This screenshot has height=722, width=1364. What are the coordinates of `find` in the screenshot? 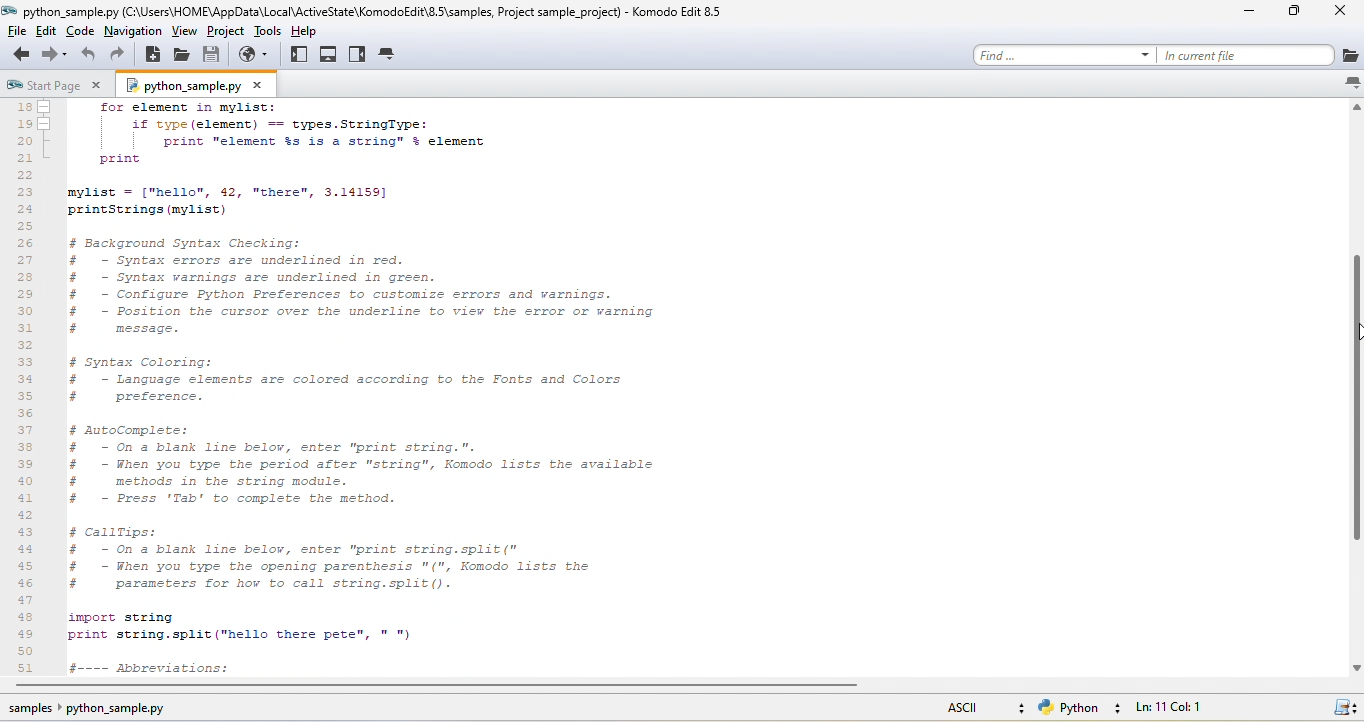 It's located at (1064, 55).